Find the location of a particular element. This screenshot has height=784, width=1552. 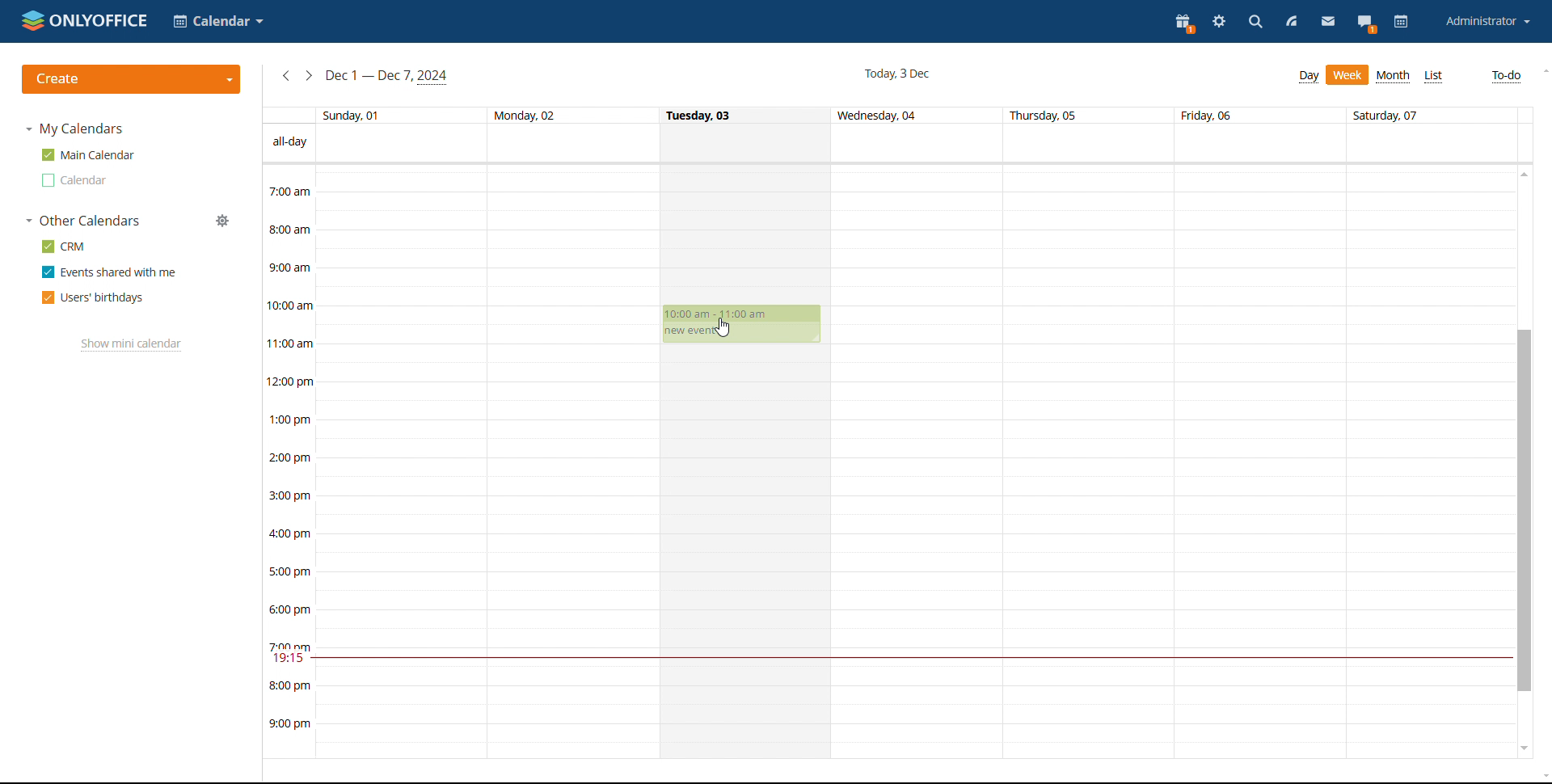

mail is located at coordinates (1327, 23).